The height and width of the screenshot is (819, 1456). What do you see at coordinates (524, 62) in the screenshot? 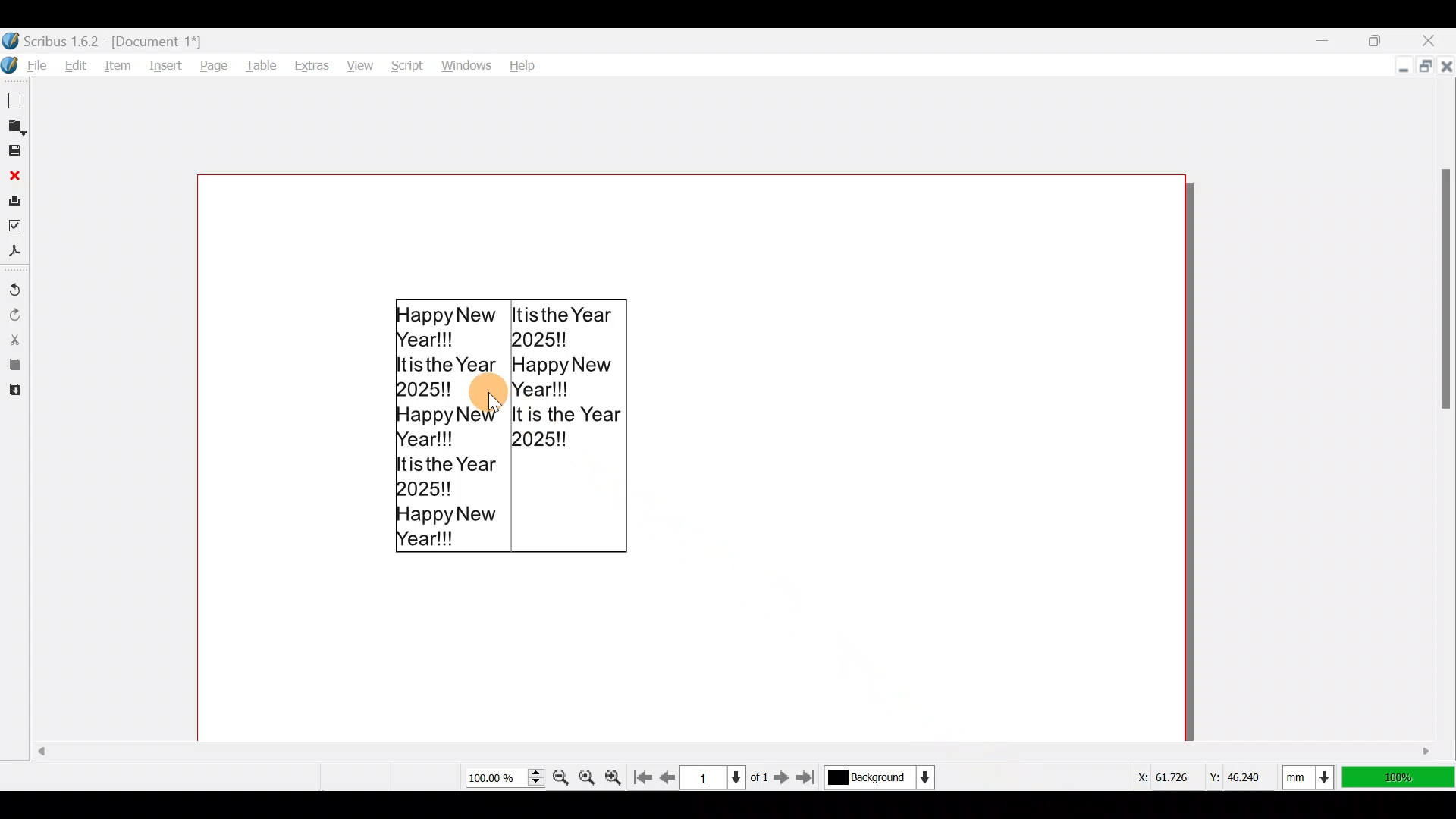
I see `Help` at bounding box center [524, 62].